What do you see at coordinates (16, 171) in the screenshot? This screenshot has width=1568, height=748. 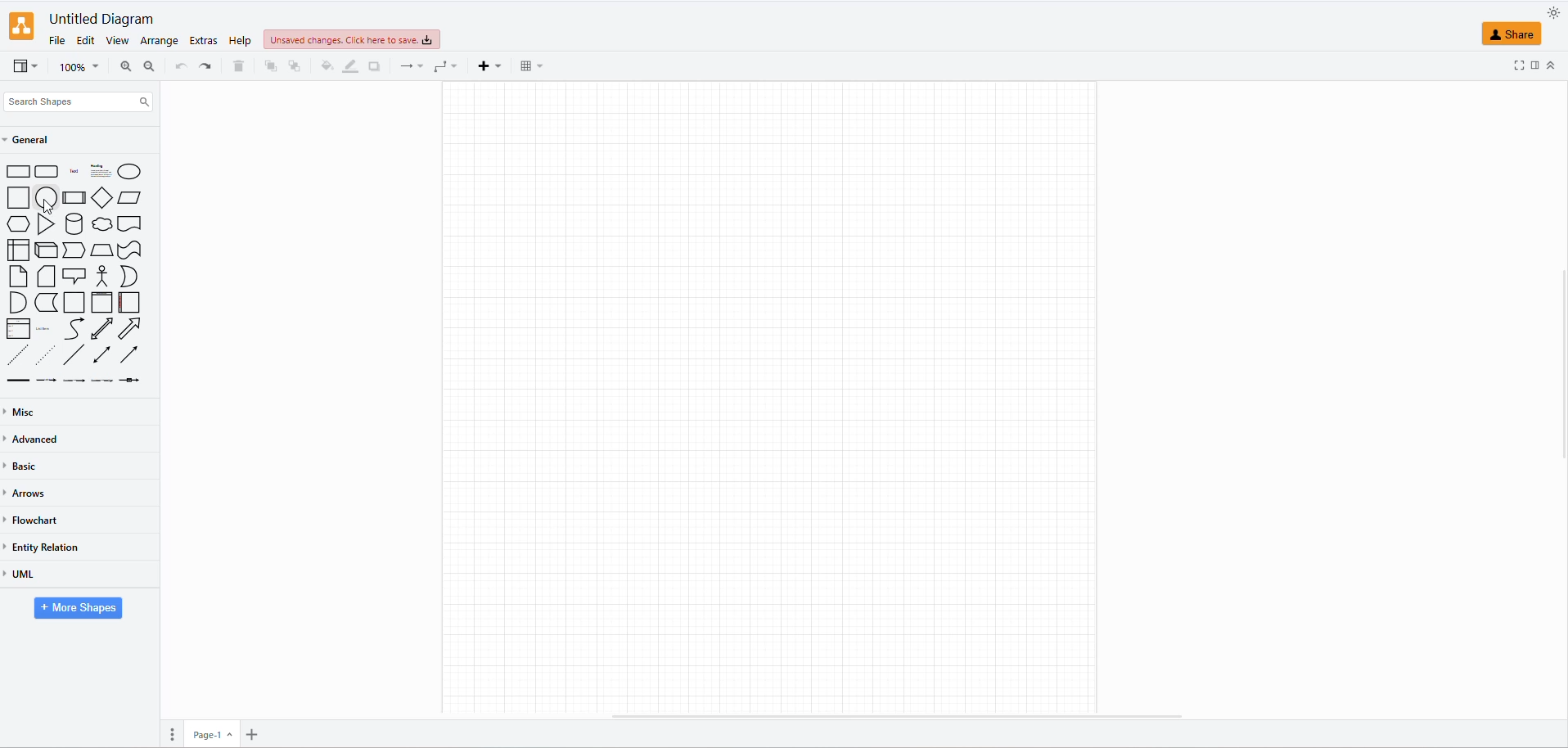 I see `RECTANGLE` at bounding box center [16, 171].